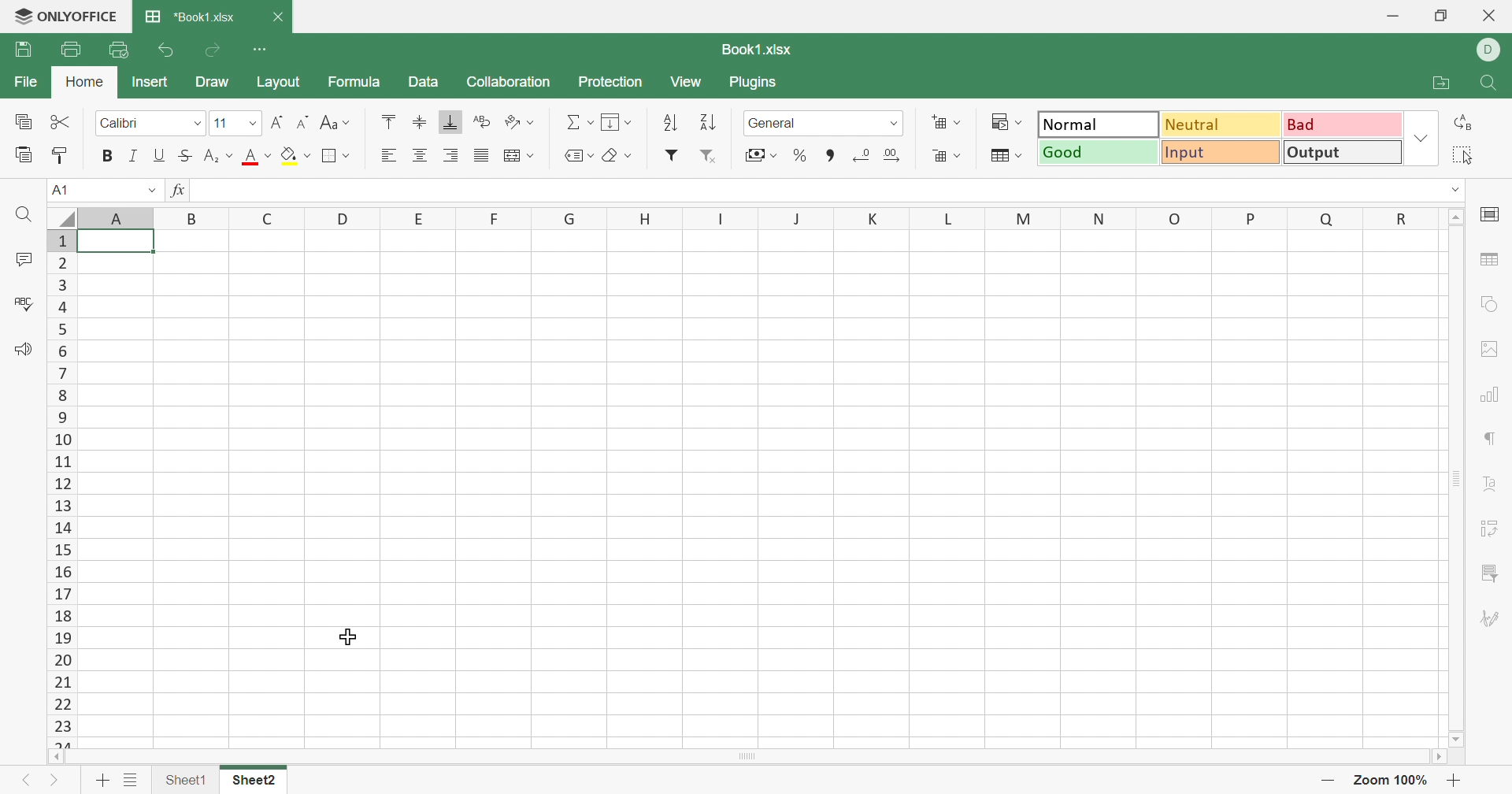 The width and height of the screenshot is (1512, 794). Describe the element at coordinates (569, 217) in the screenshot. I see `G` at that location.